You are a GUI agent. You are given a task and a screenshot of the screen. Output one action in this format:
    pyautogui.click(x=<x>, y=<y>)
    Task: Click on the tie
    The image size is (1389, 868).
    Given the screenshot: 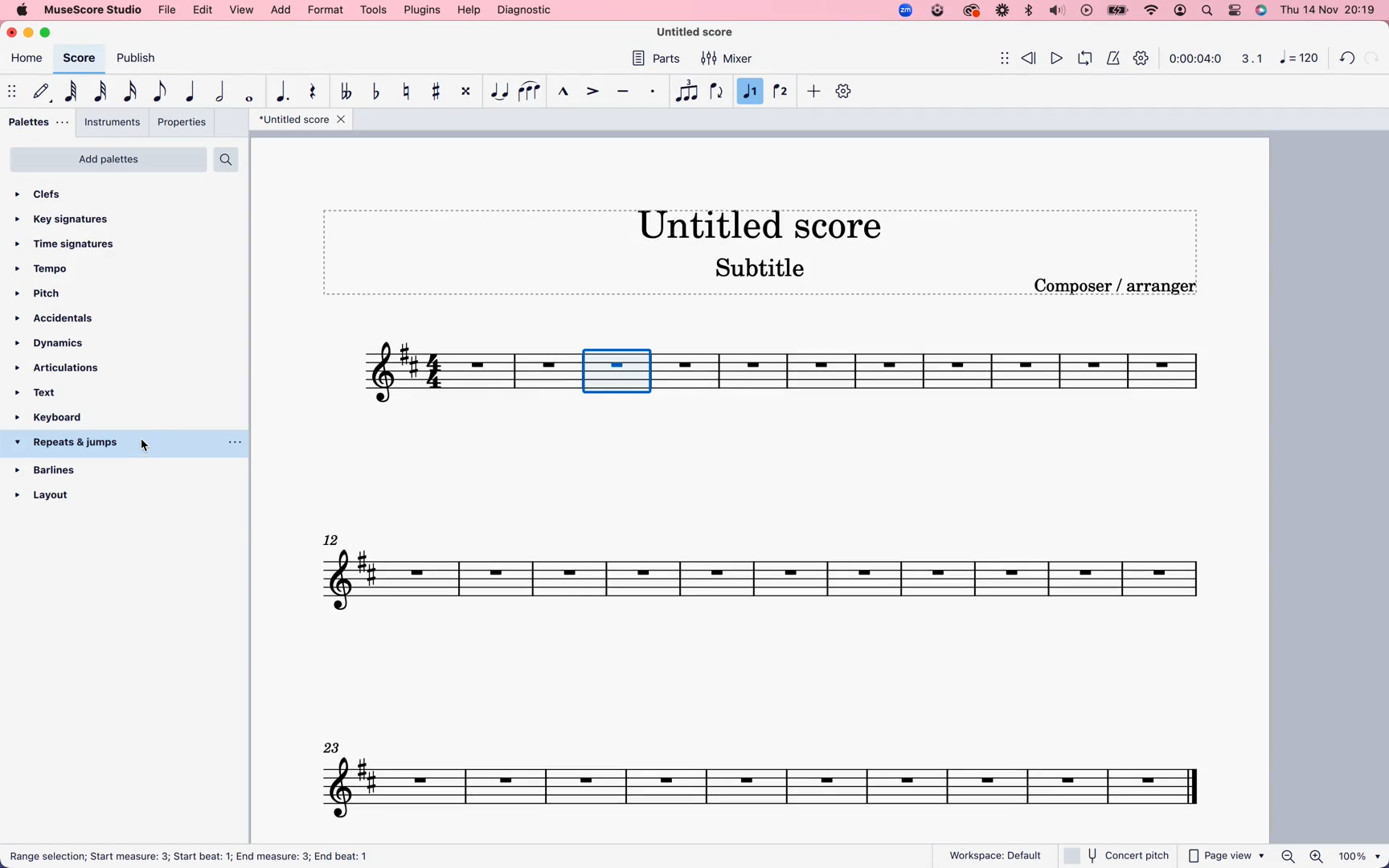 What is the action you would take?
    pyautogui.click(x=499, y=92)
    